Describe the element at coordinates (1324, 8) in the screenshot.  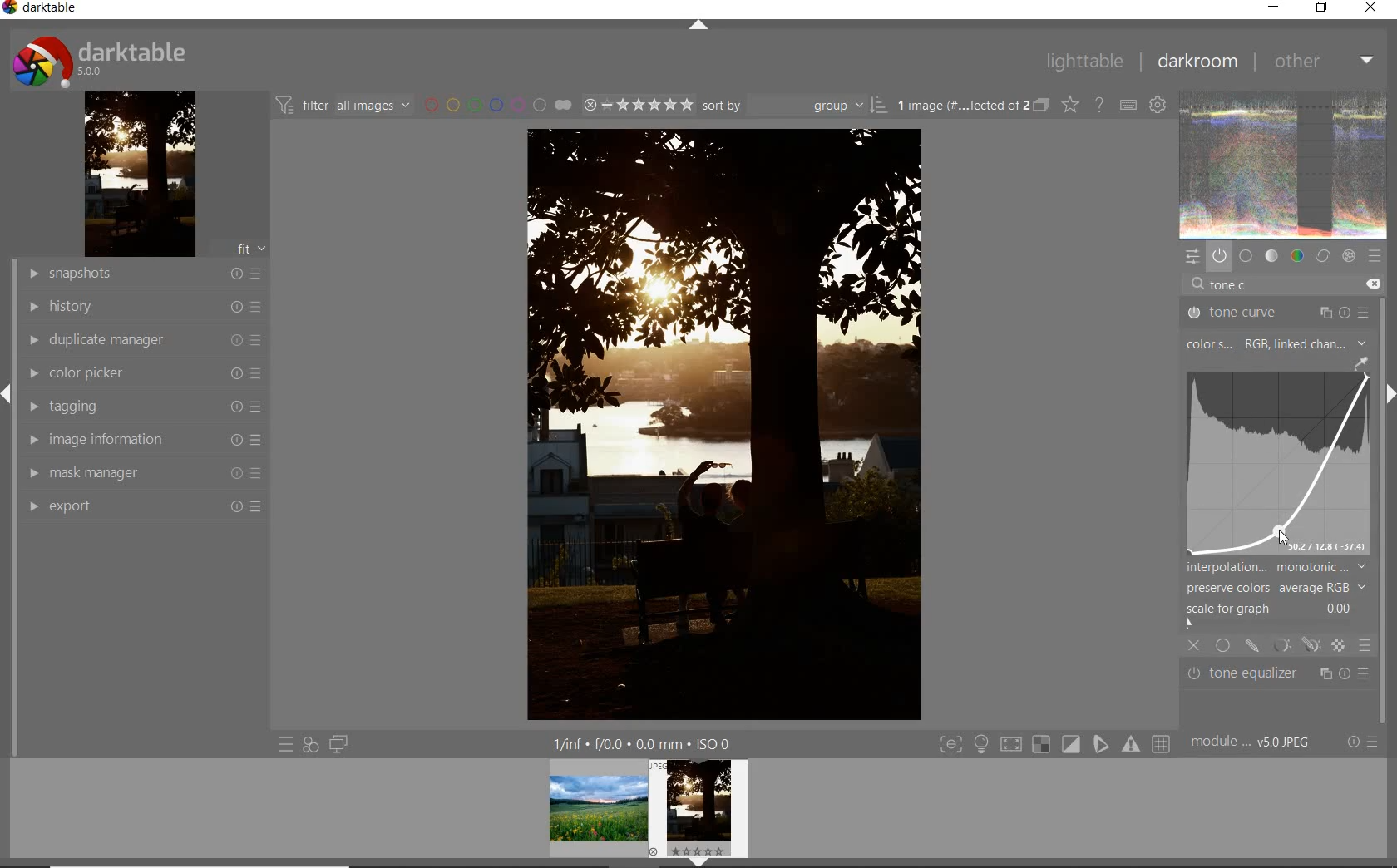
I see `restore` at that location.